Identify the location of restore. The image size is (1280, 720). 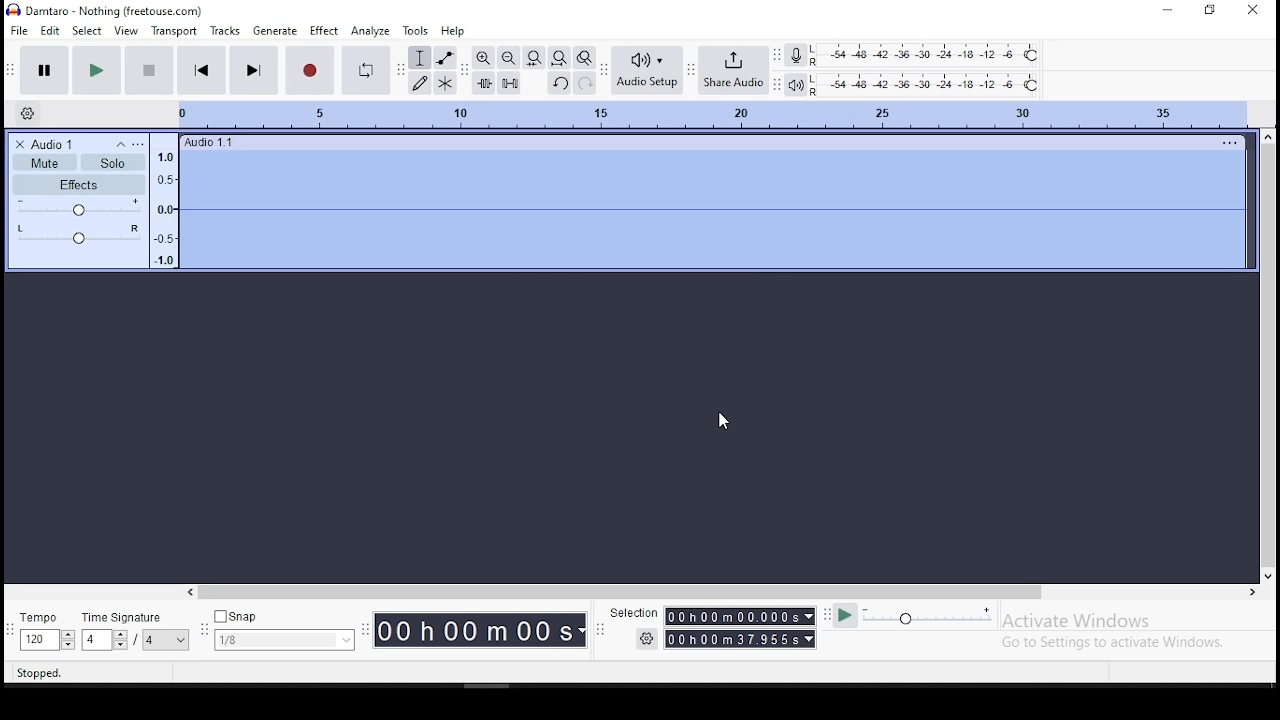
(1212, 10).